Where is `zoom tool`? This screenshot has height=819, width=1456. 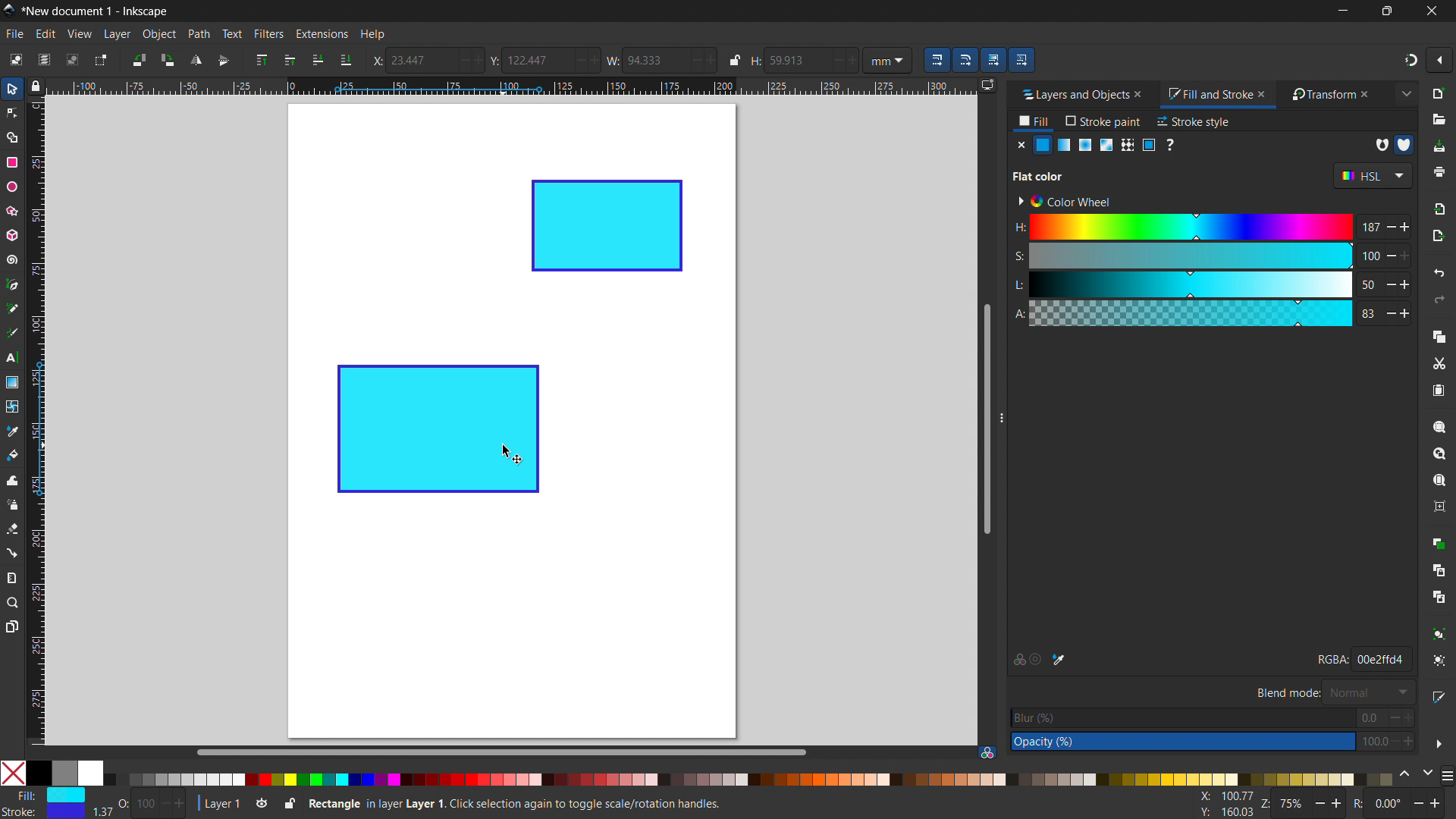 zoom tool is located at coordinates (13, 601).